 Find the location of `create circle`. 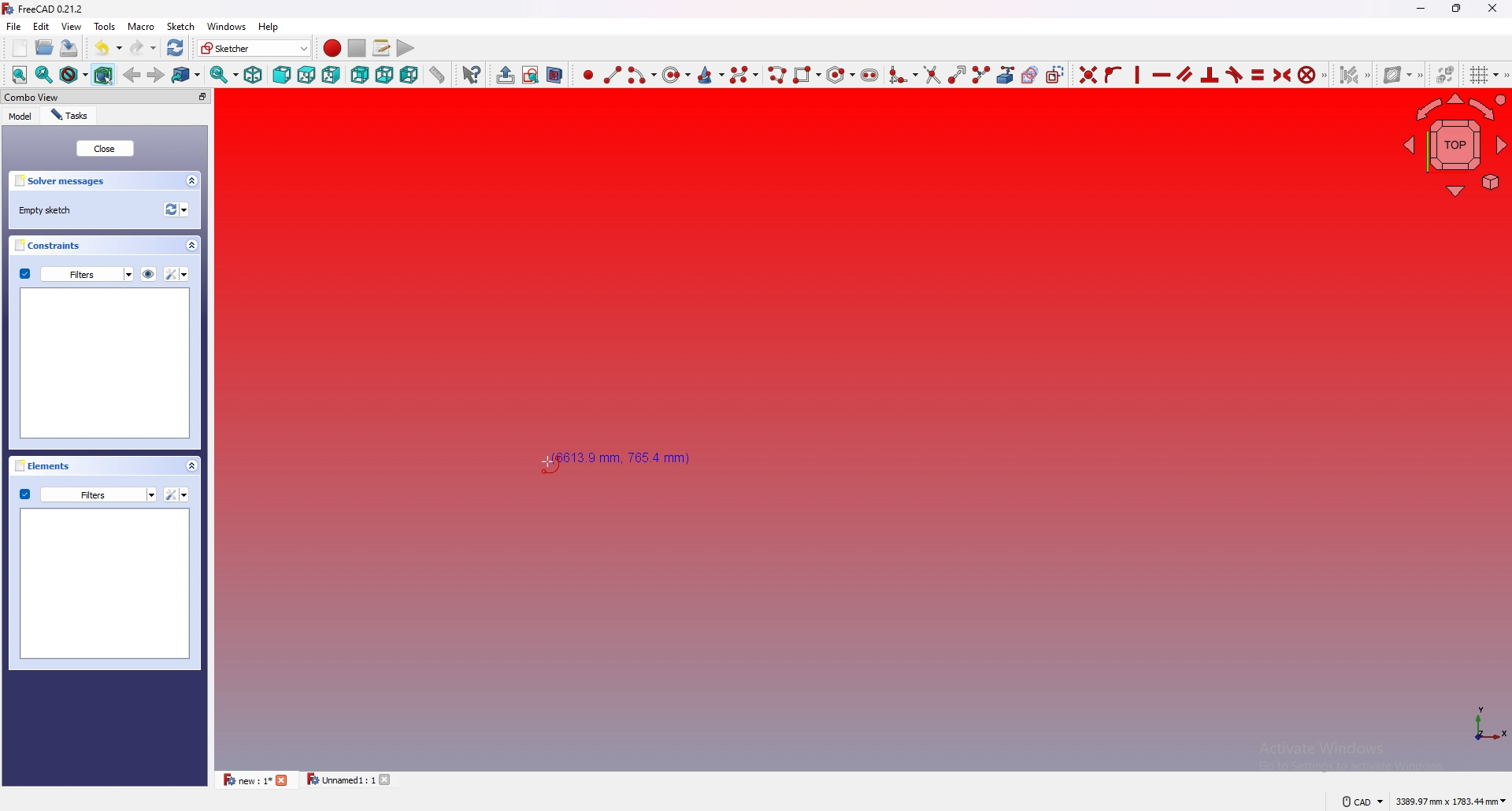

create circle is located at coordinates (675, 76).